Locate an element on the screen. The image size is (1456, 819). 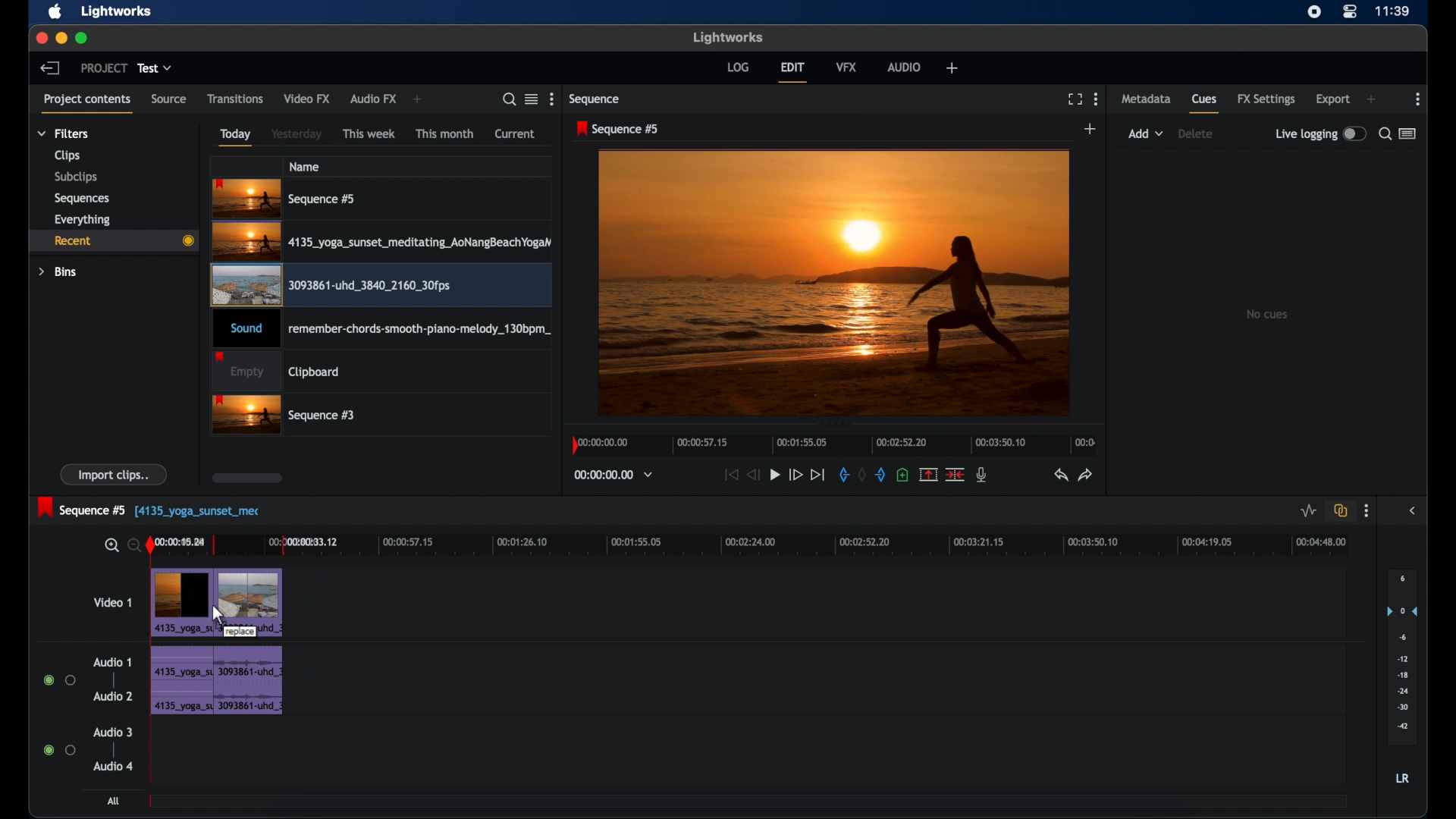
audio clip is located at coordinates (379, 329).